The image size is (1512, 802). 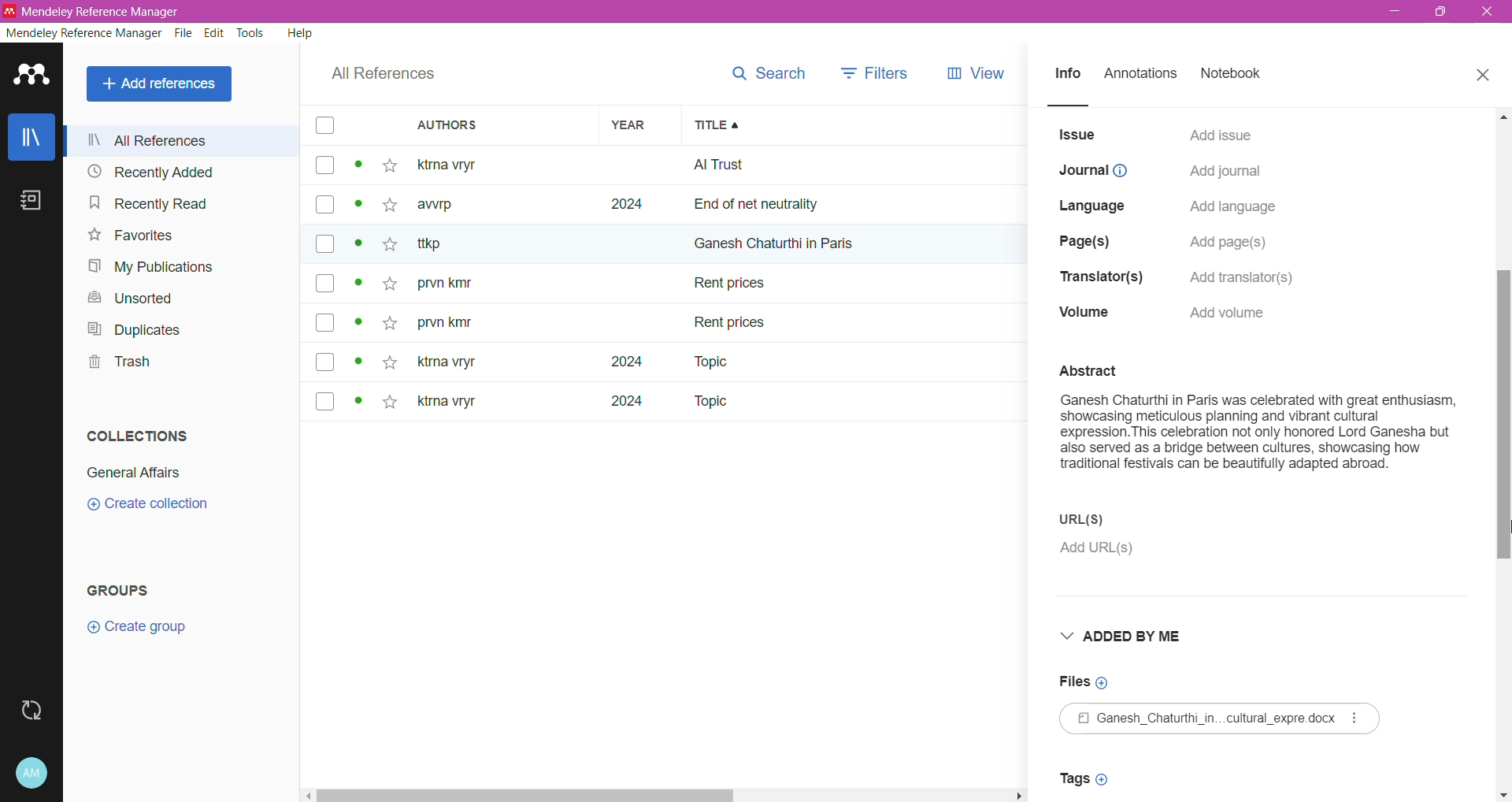 I want to click on Click to add Journal, so click(x=1224, y=173).